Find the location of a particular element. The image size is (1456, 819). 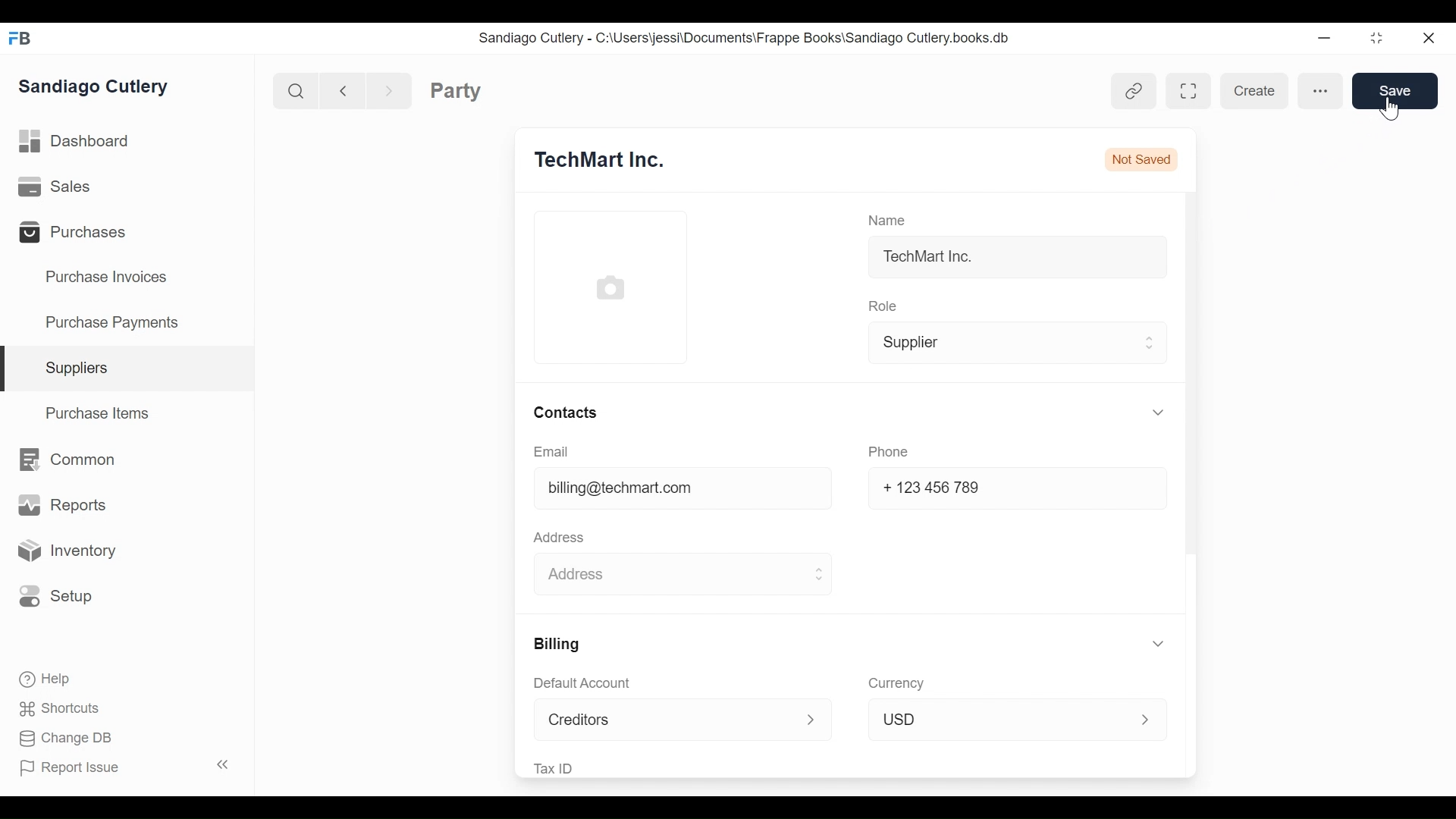

more is located at coordinates (1321, 91).